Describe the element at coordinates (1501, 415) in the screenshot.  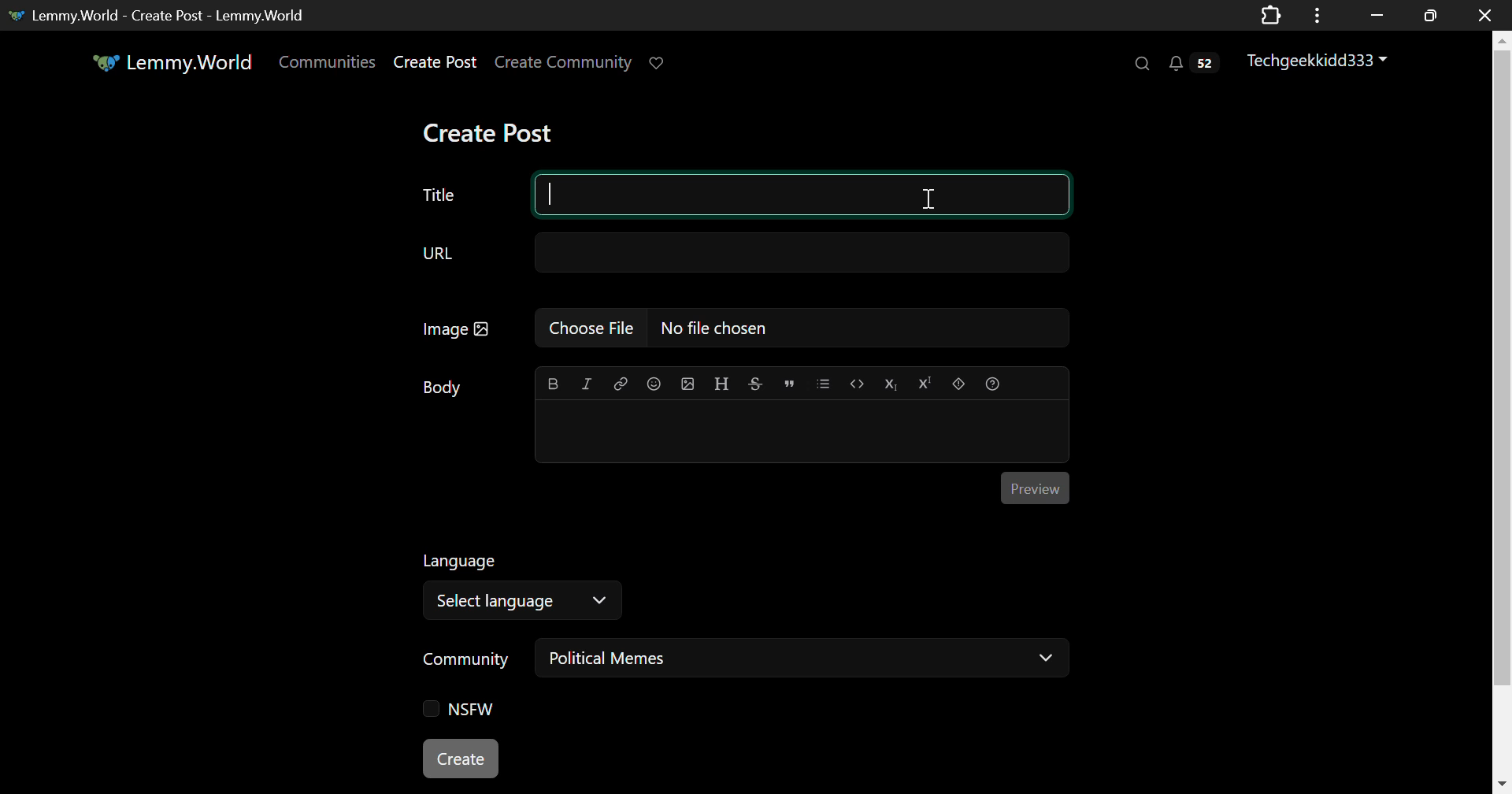
I see `Vertical Scroll Bar` at that location.